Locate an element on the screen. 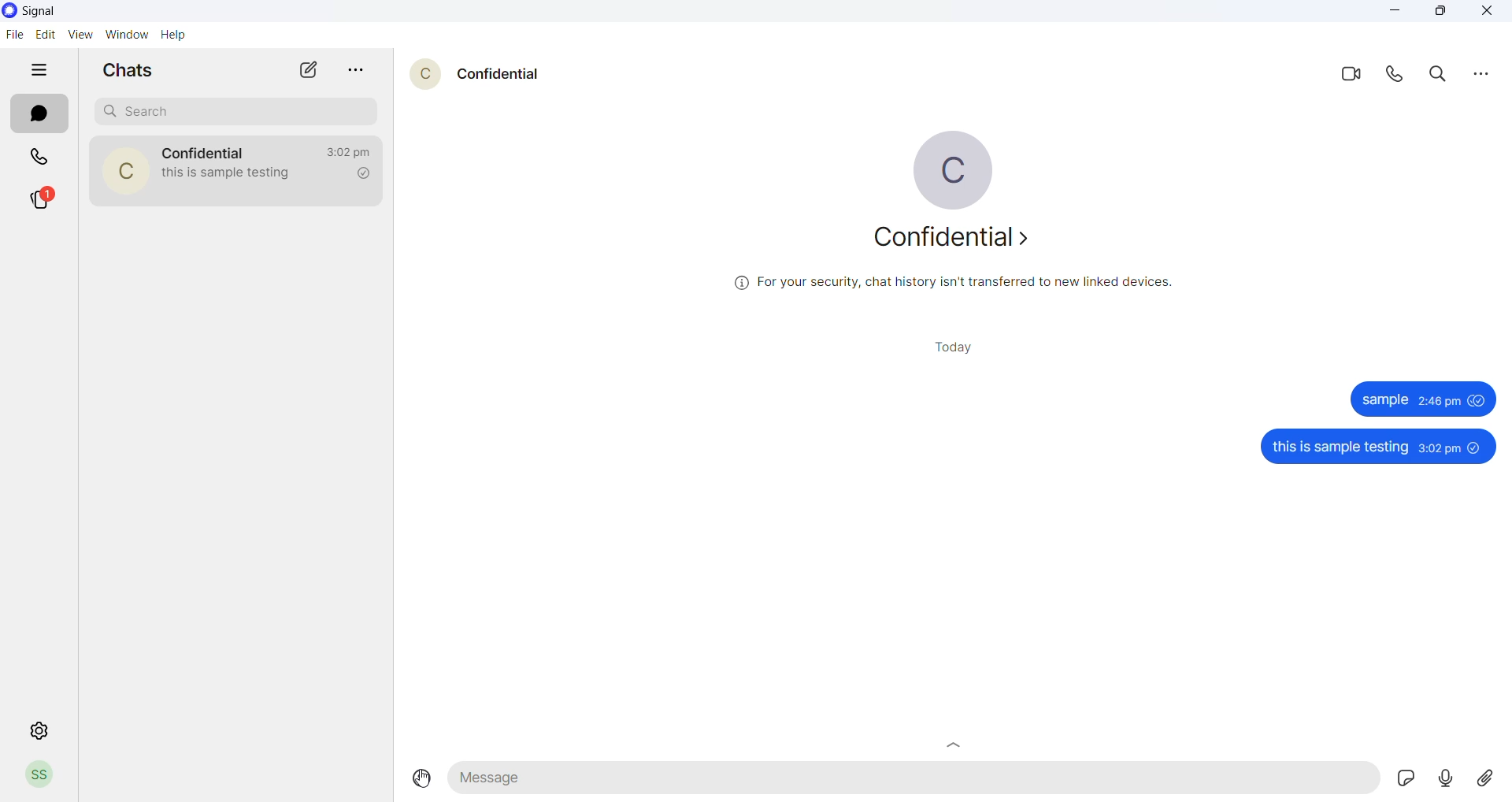 This screenshot has width=1512, height=802. more options is located at coordinates (1475, 73).